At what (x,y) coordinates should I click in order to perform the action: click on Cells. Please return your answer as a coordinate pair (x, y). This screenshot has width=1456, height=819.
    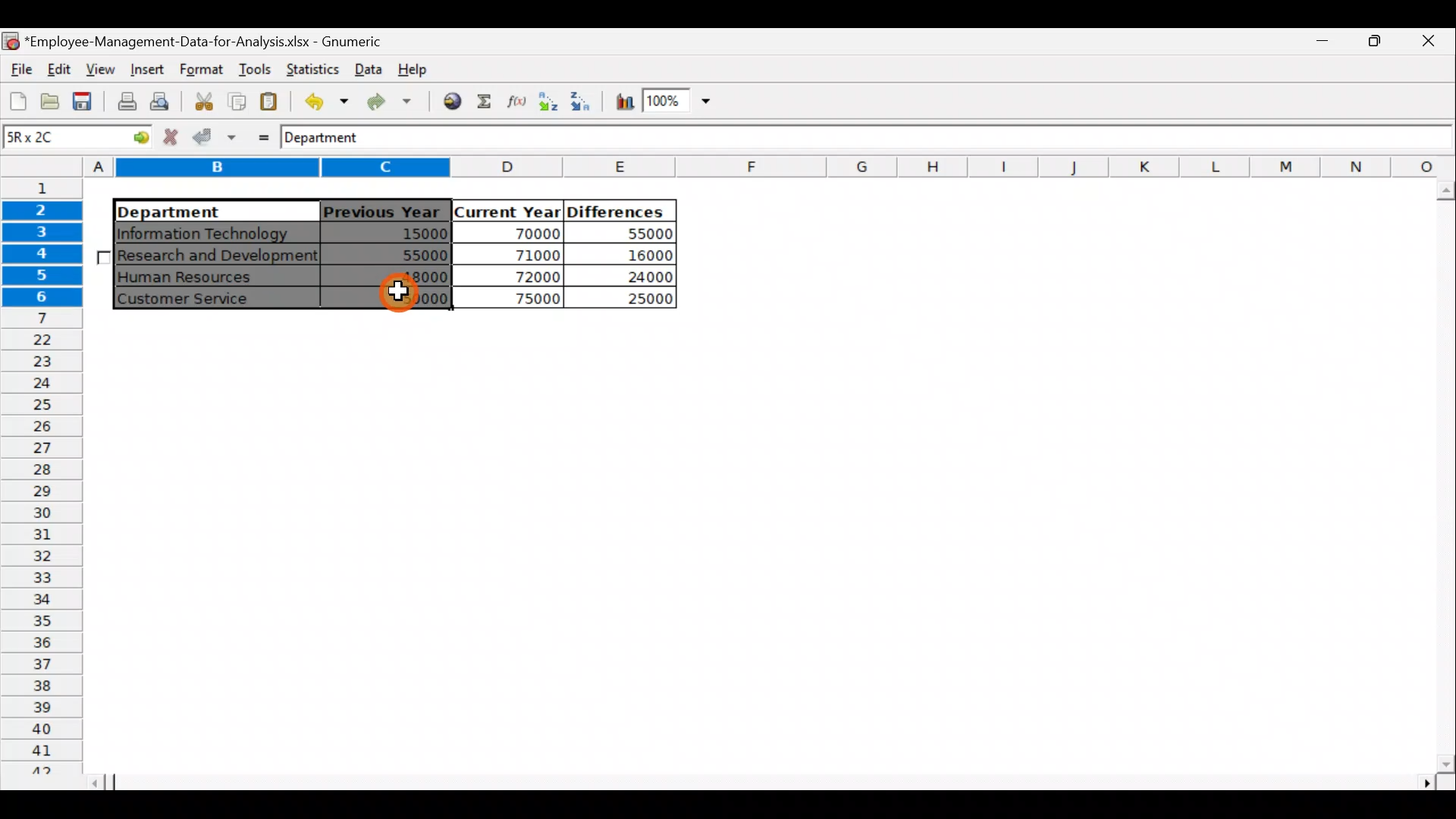
    Looking at the image, I should click on (757, 547).